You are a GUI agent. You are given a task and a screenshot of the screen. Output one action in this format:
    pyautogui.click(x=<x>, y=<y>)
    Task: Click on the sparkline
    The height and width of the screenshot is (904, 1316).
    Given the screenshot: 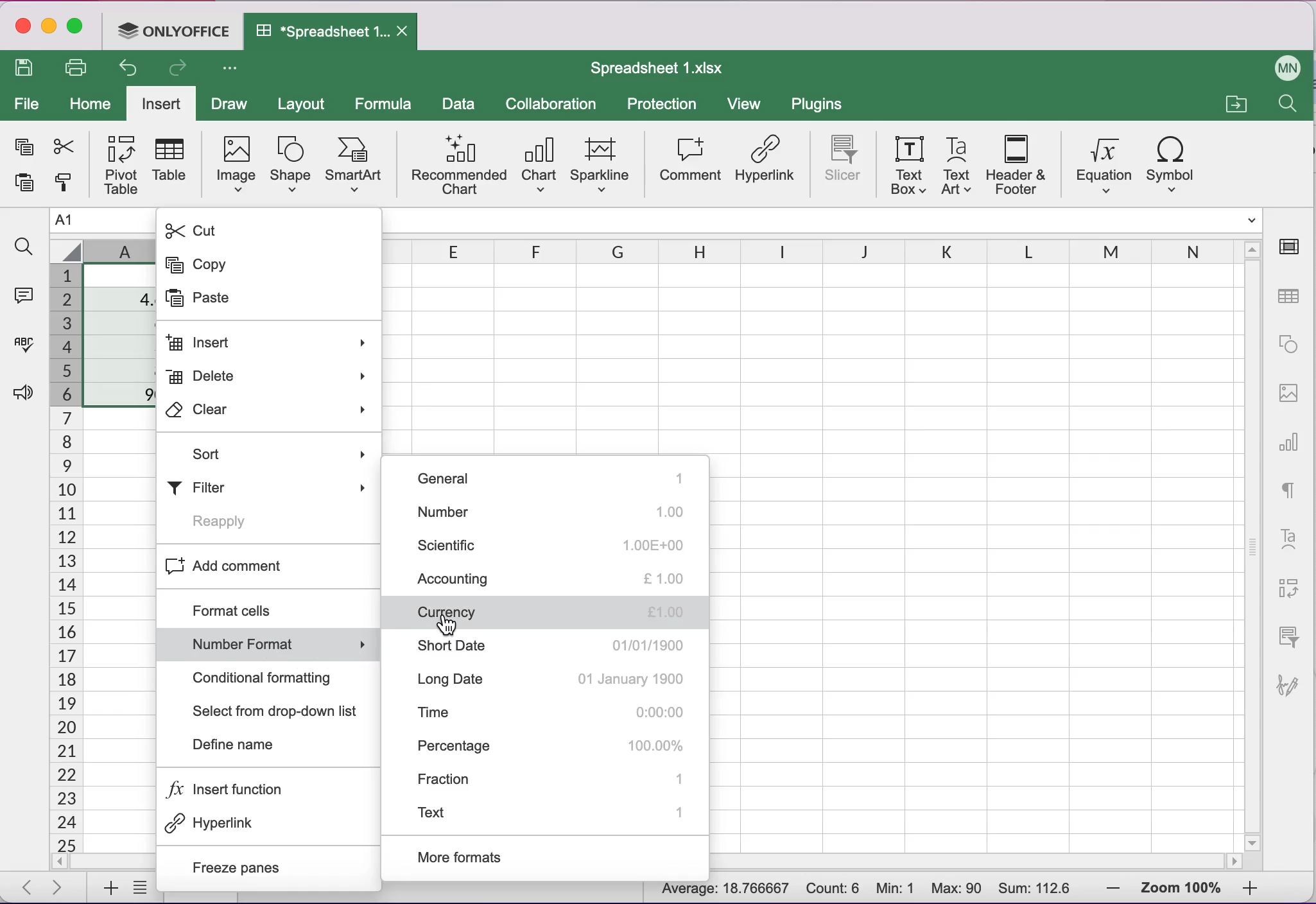 What is the action you would take?
    pyautogui.click(x=602, y=164)
    